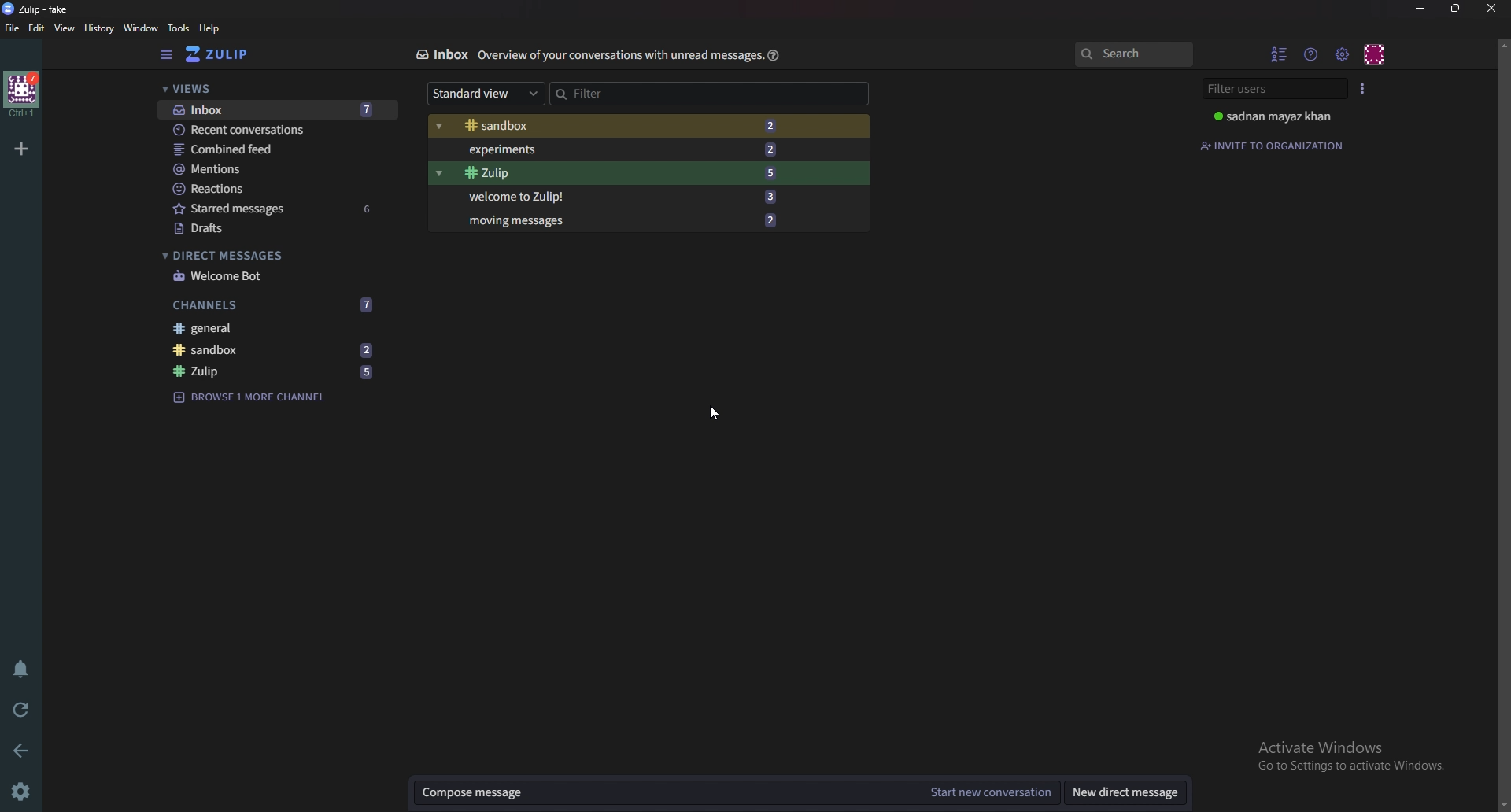 This screenshot has height=812, width=1511. What do you see at coordinates (621, 91) in the screenshot?
I see `Filter` at bounding box center [621, 91].